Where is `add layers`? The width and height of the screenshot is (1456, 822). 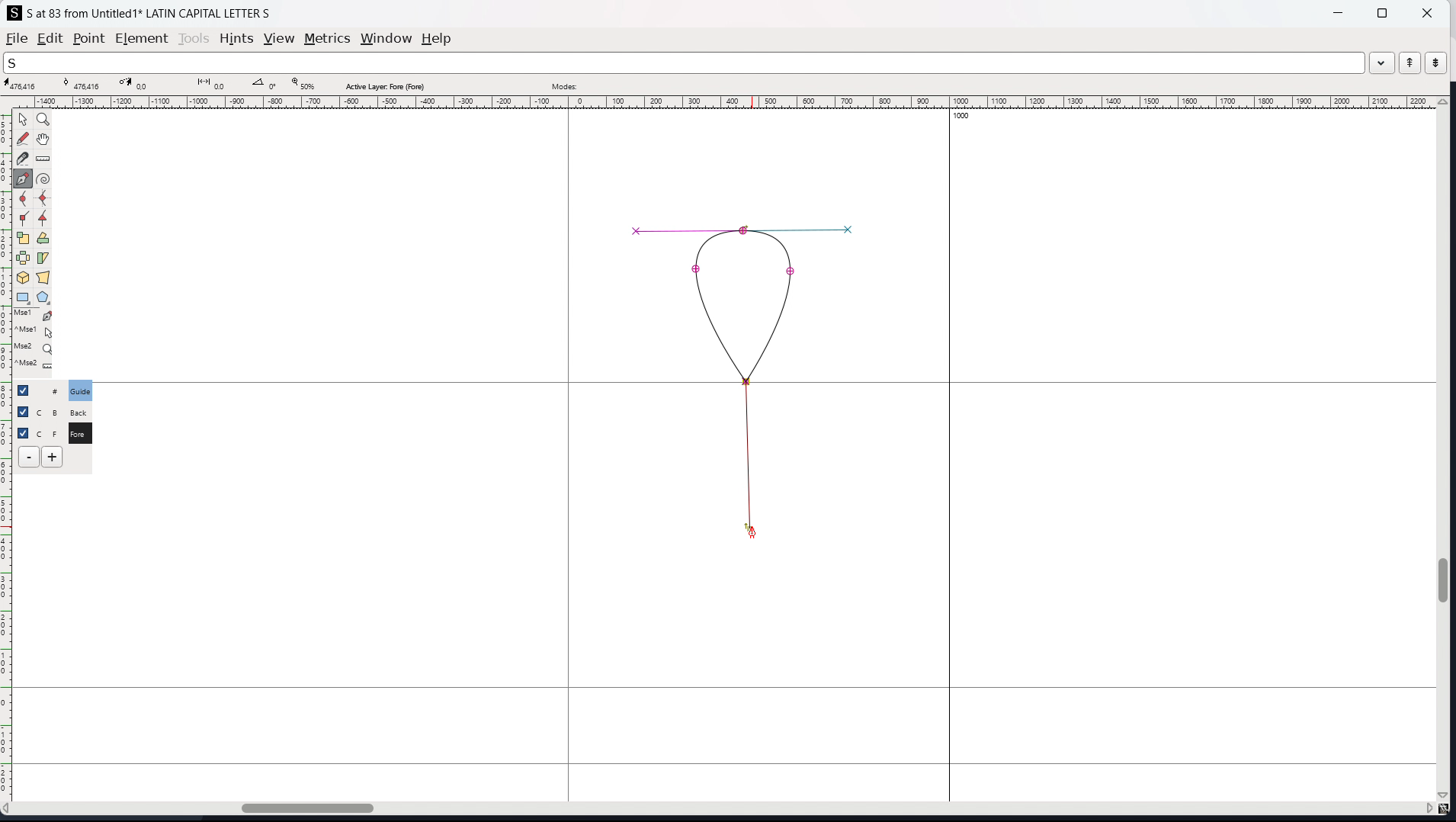
add layers is located at coordinates (52, 457).